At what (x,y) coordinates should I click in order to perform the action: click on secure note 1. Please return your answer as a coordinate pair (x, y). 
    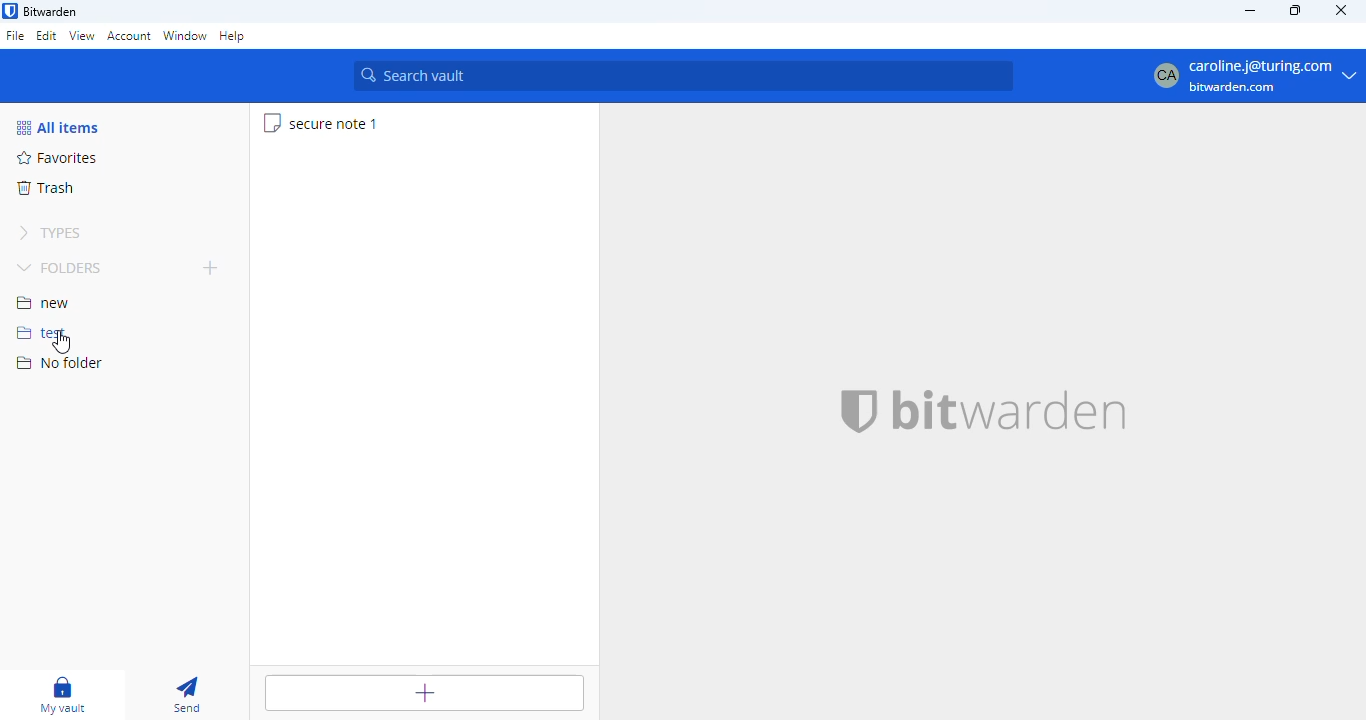
    Looking at the image, I should click on (323, 122).